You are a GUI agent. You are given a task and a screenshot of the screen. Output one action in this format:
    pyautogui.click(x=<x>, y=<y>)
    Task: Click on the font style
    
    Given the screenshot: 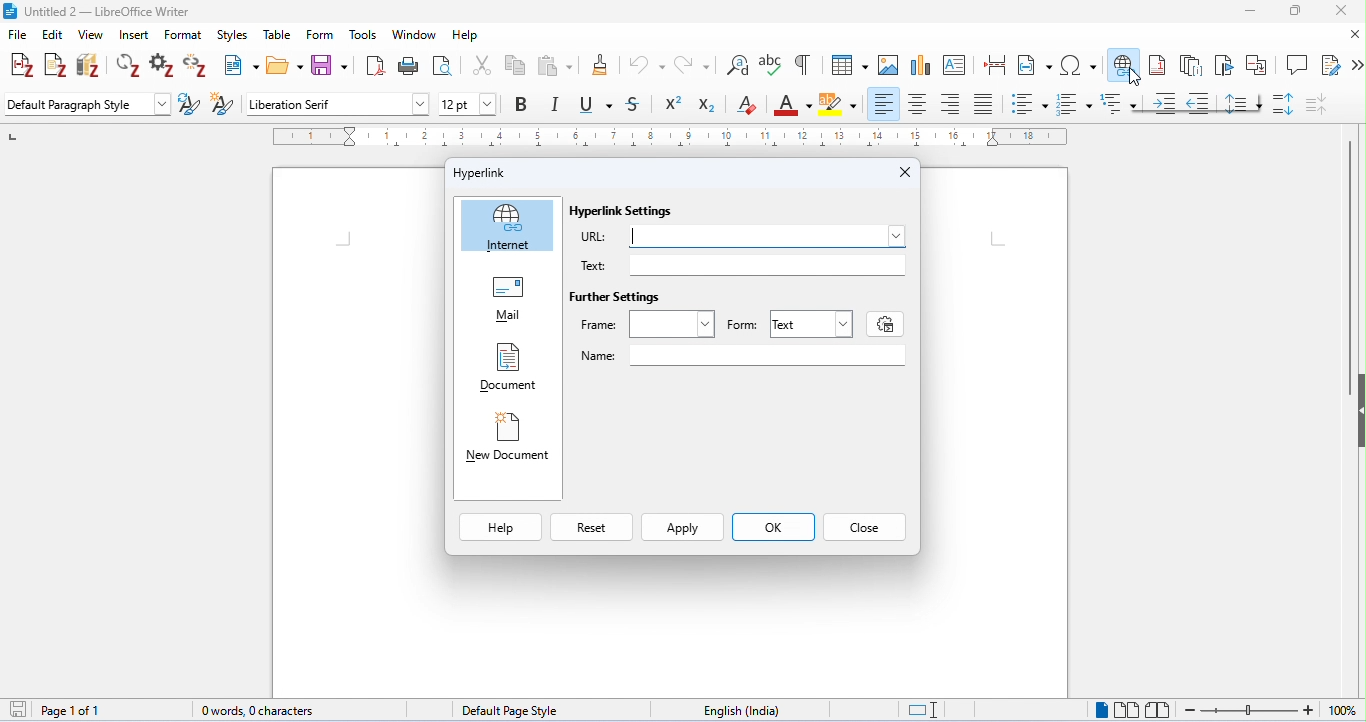 What is the action you would take?
    pyautogui.click(x=338, y=105)
    